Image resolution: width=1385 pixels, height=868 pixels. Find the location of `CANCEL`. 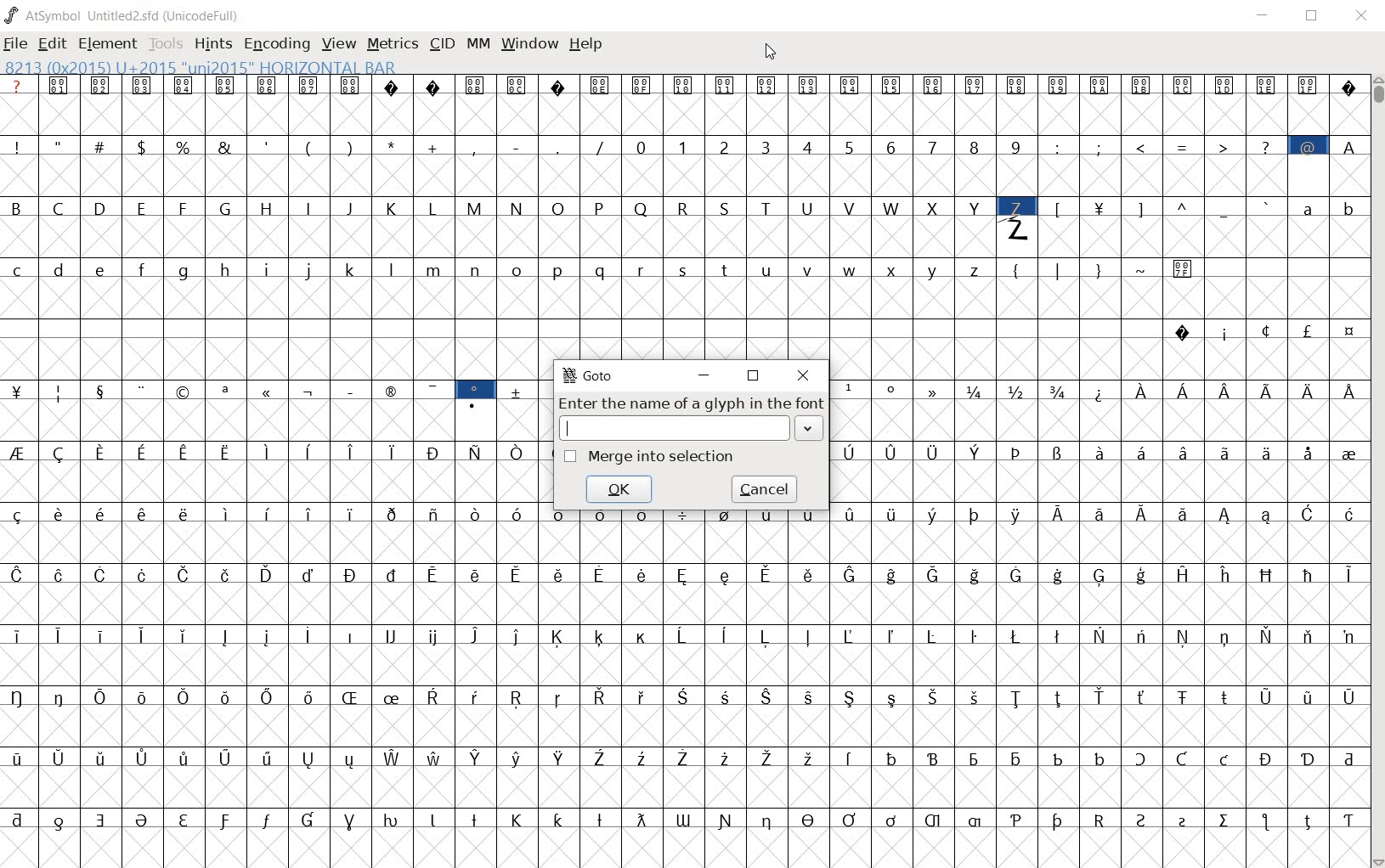

CANCEL is located at coordinates (766, 488).